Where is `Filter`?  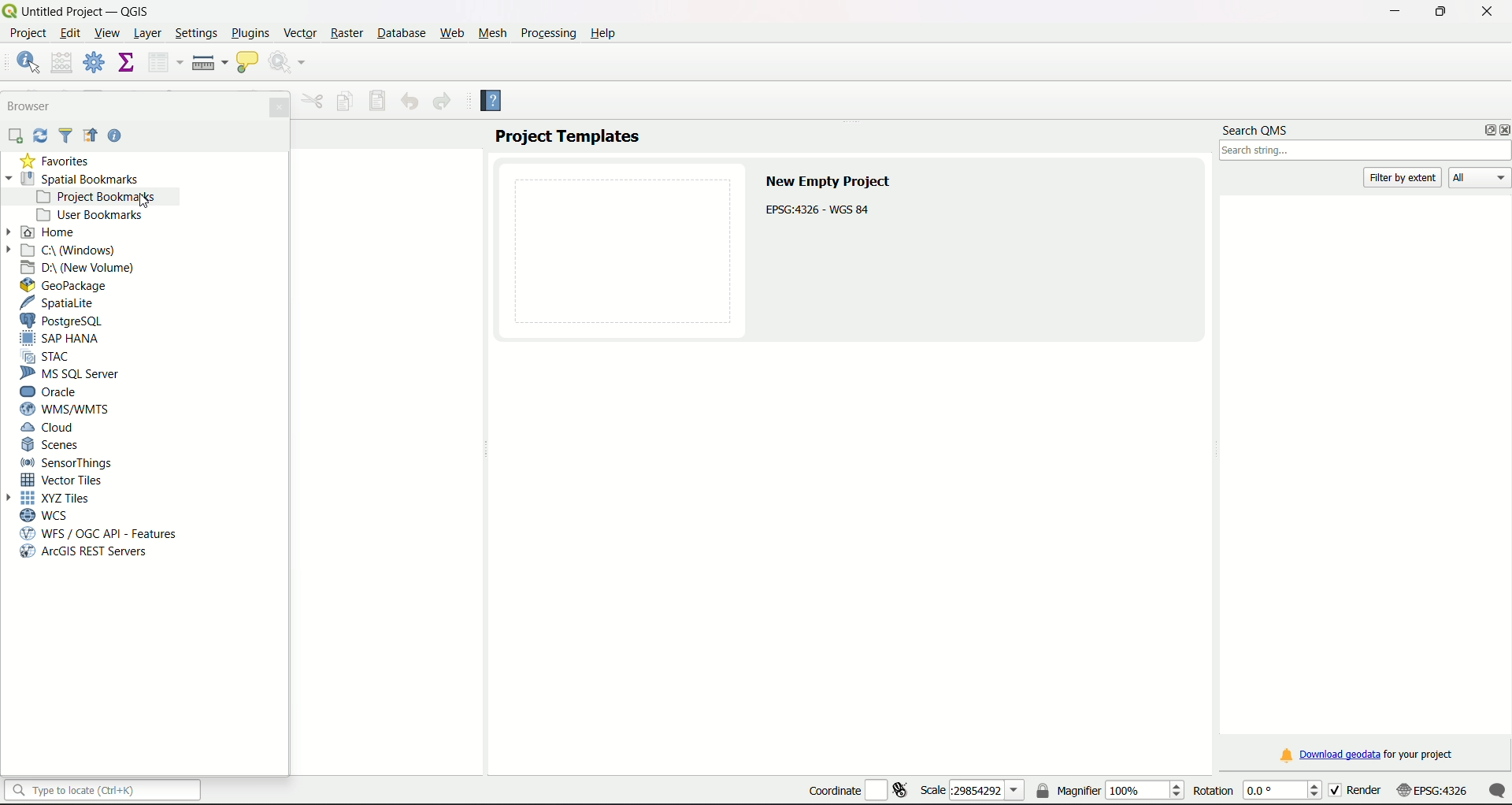 Filter is located at coordinates (66, 136).